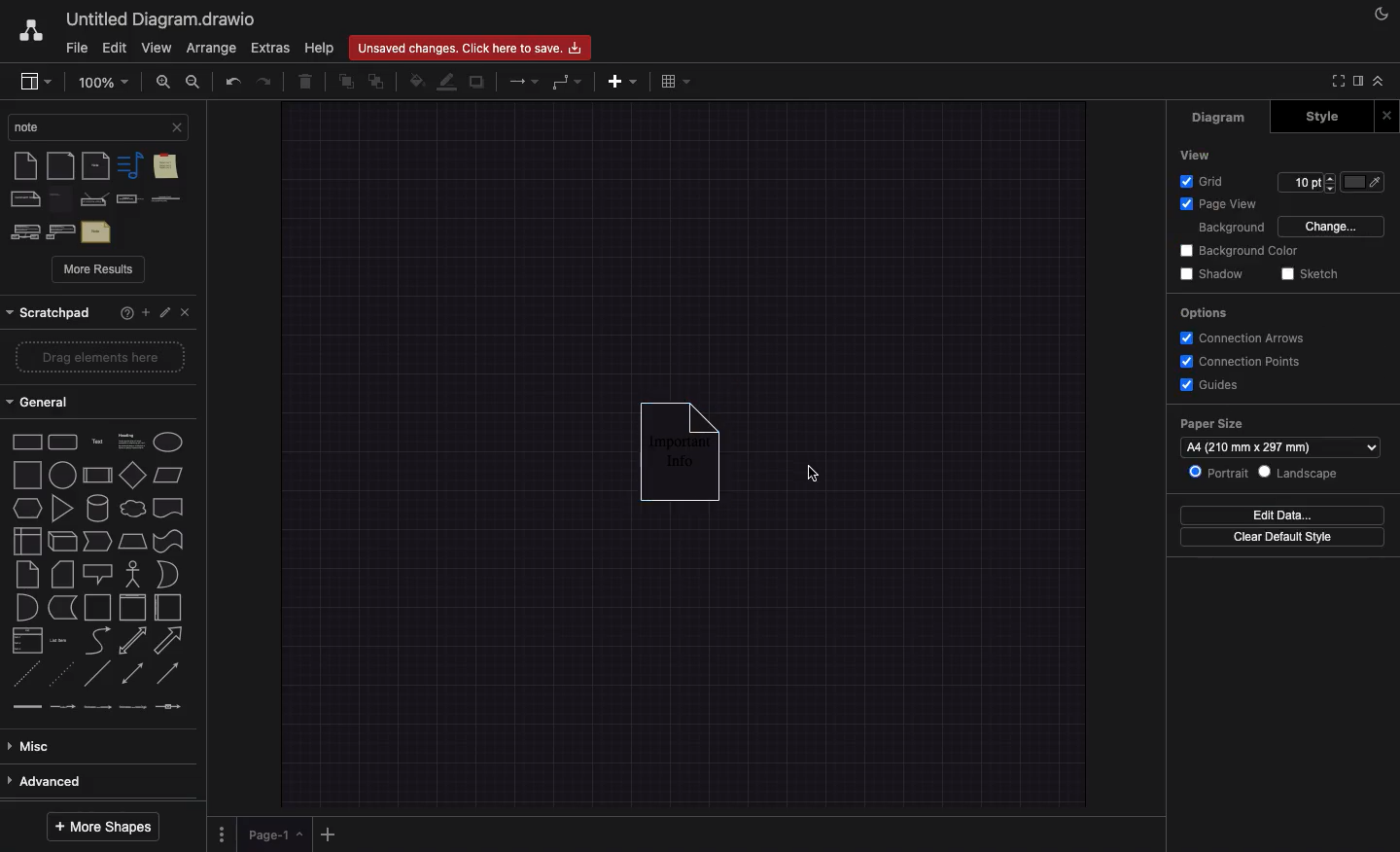  What do you see at coordinates (156, 48) in the screenshot?
I see `View` at bounding box center [156, 48].